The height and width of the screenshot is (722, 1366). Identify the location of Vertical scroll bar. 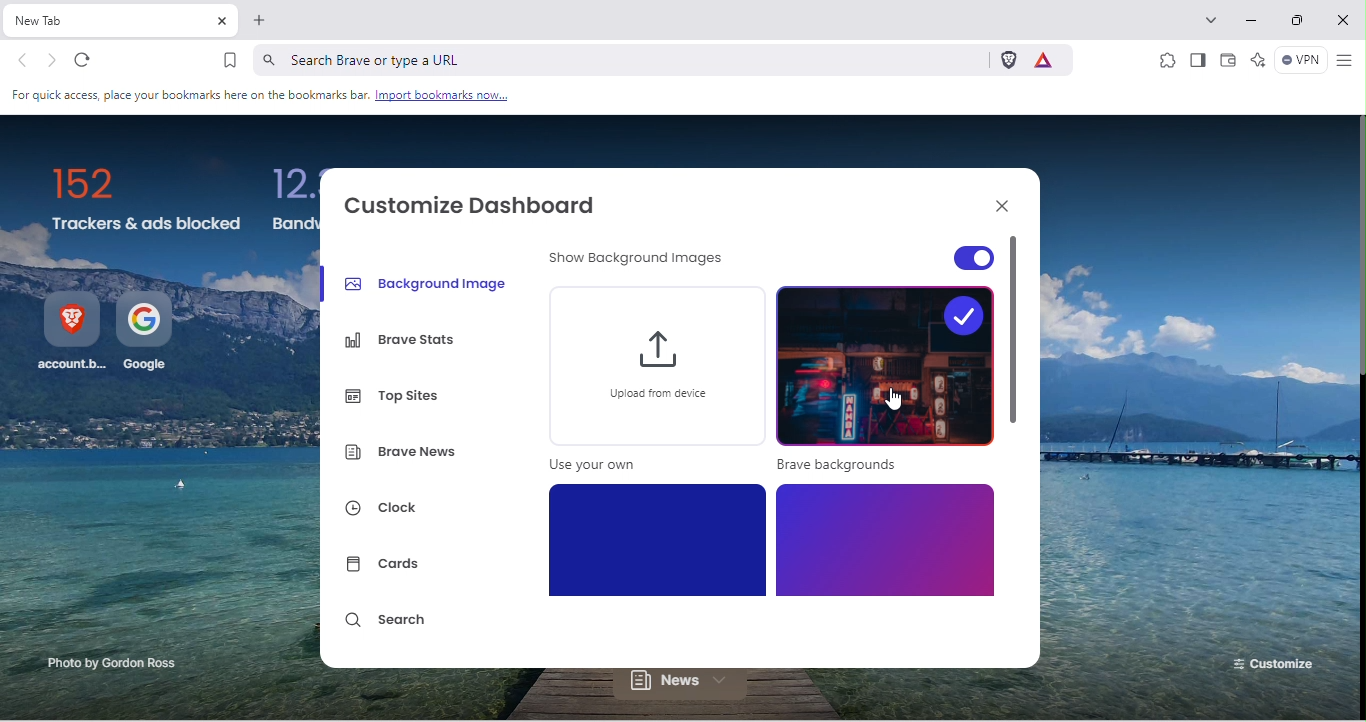
(1357, 247).